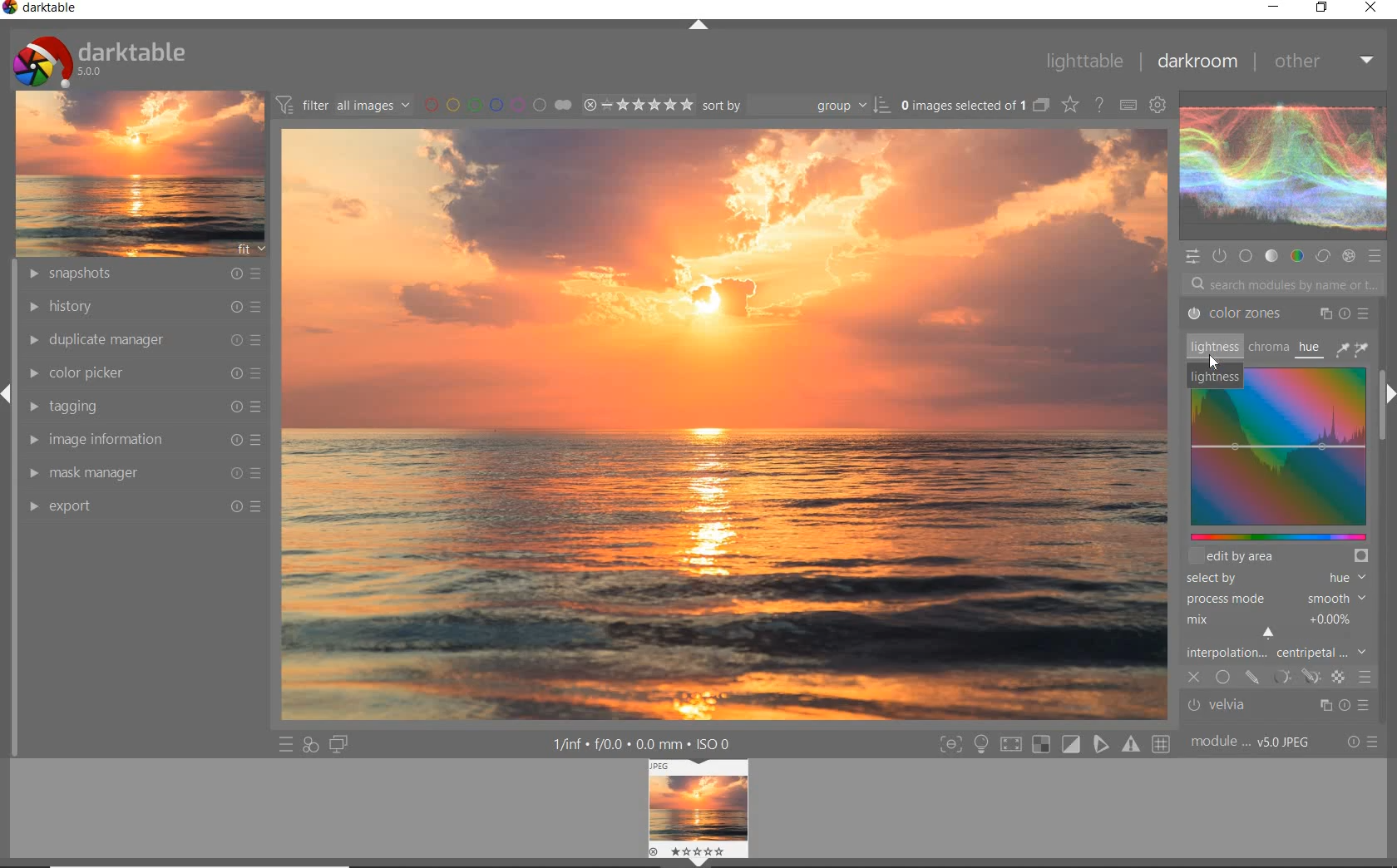  Describe the element at coordinates (1271, 256) in the screenshot. I see `TONE ` at that location.